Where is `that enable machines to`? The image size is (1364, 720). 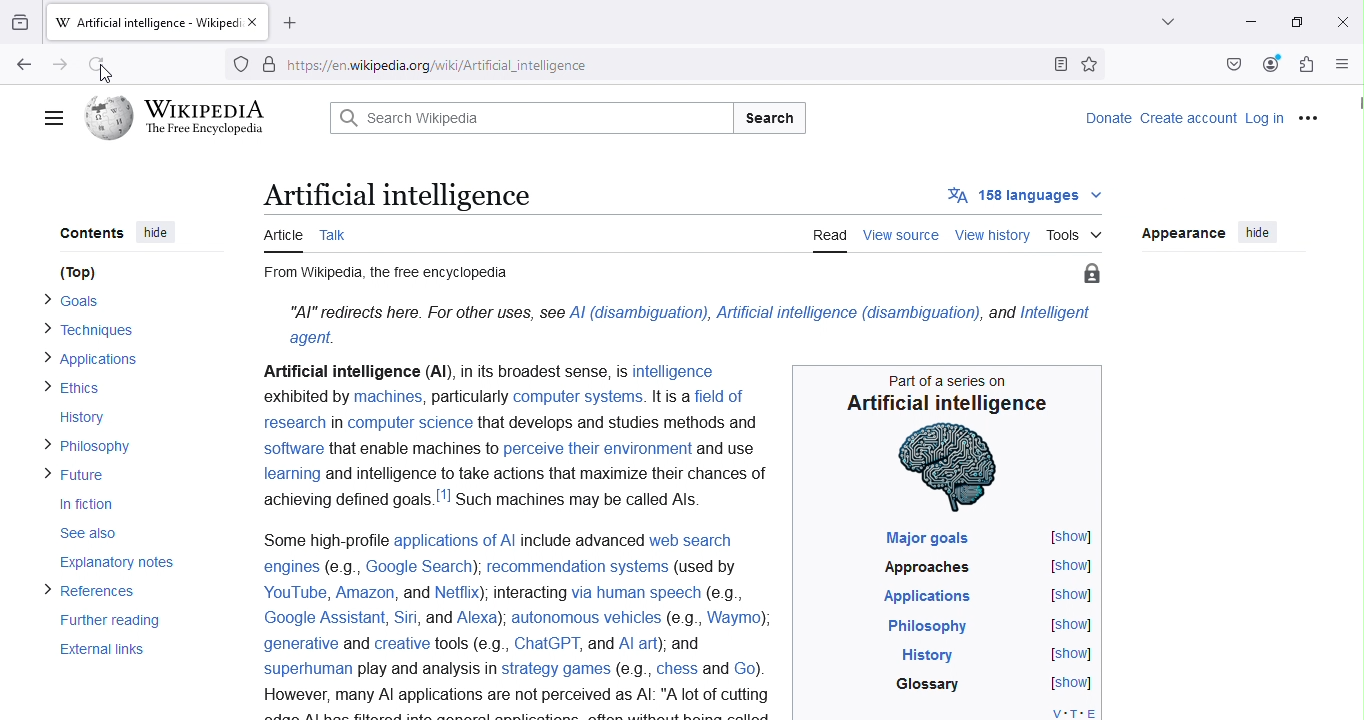
that enable machines to is located at coordinates (415, 451).